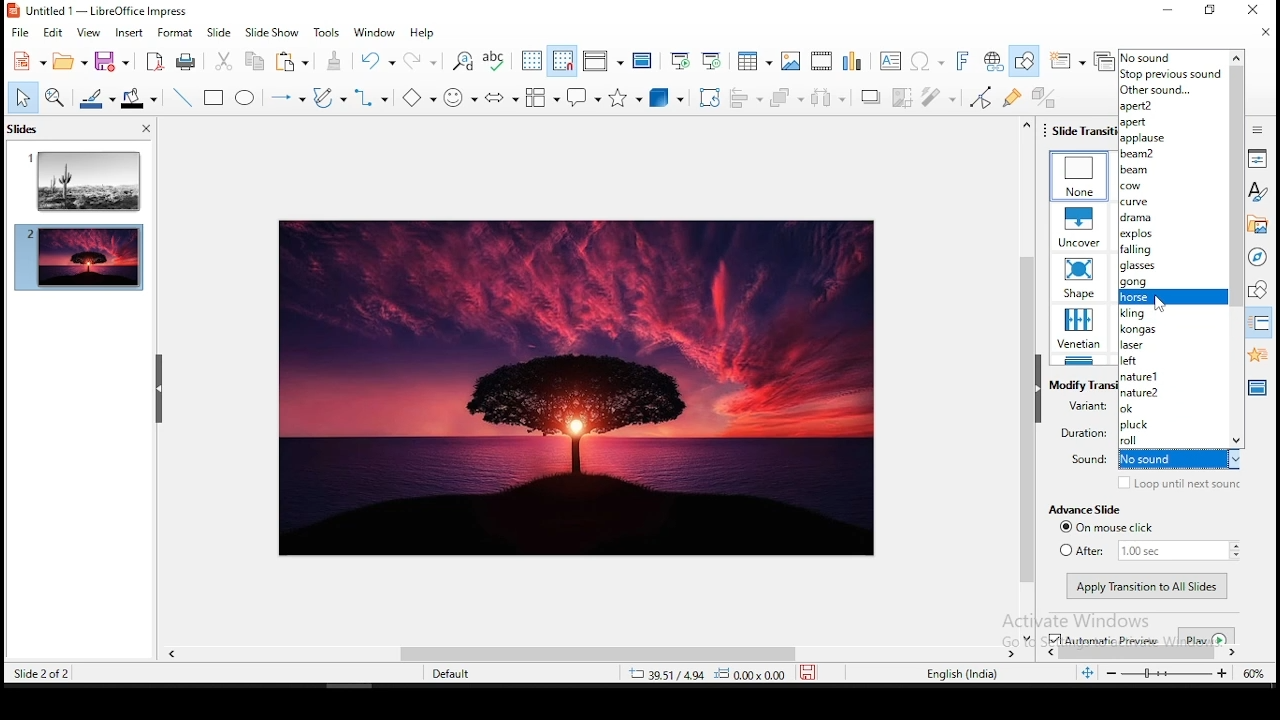 This screenshot has height=720, width=1280. Describe the element at coordinates (1181, 460) in the screenshot. I see `slide transition sound` at that location.